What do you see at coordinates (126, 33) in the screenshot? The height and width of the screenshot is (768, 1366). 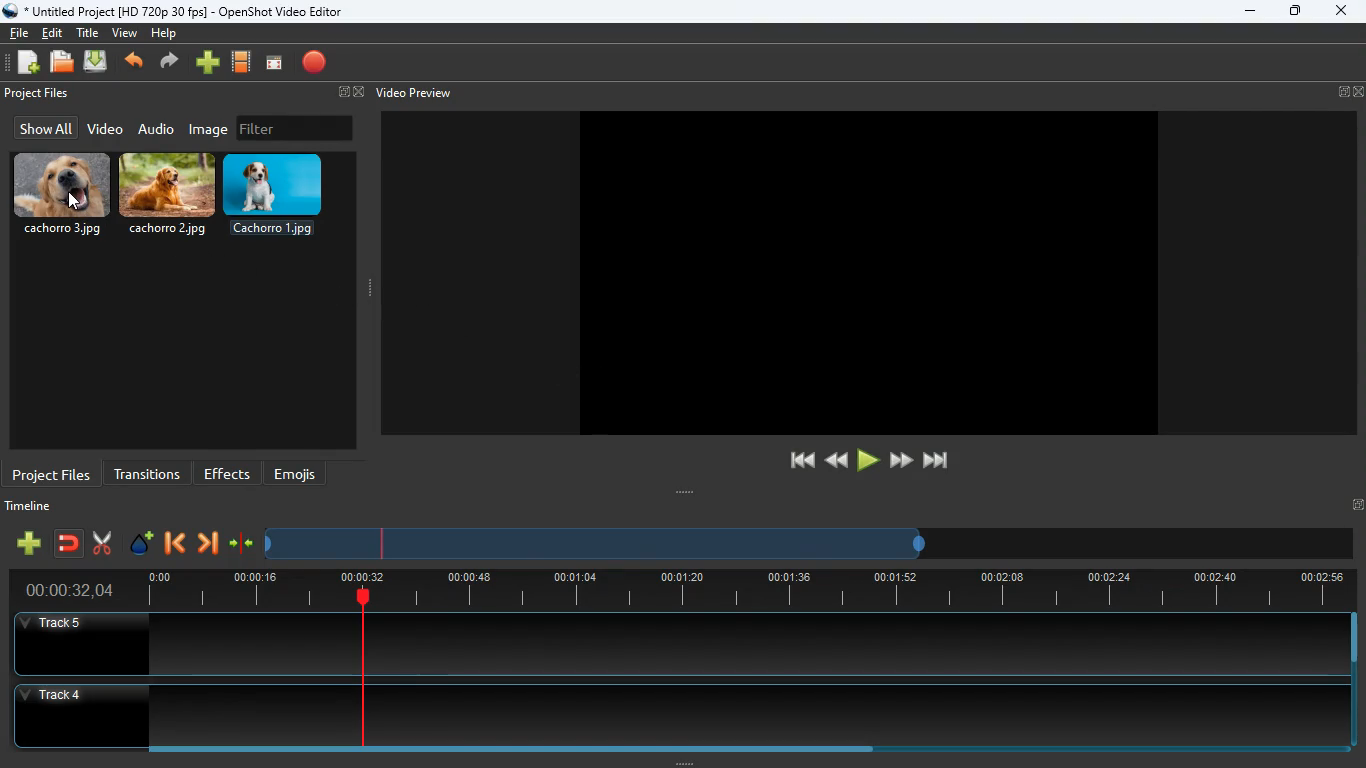 I see `view` at bounding box center [126, 33].